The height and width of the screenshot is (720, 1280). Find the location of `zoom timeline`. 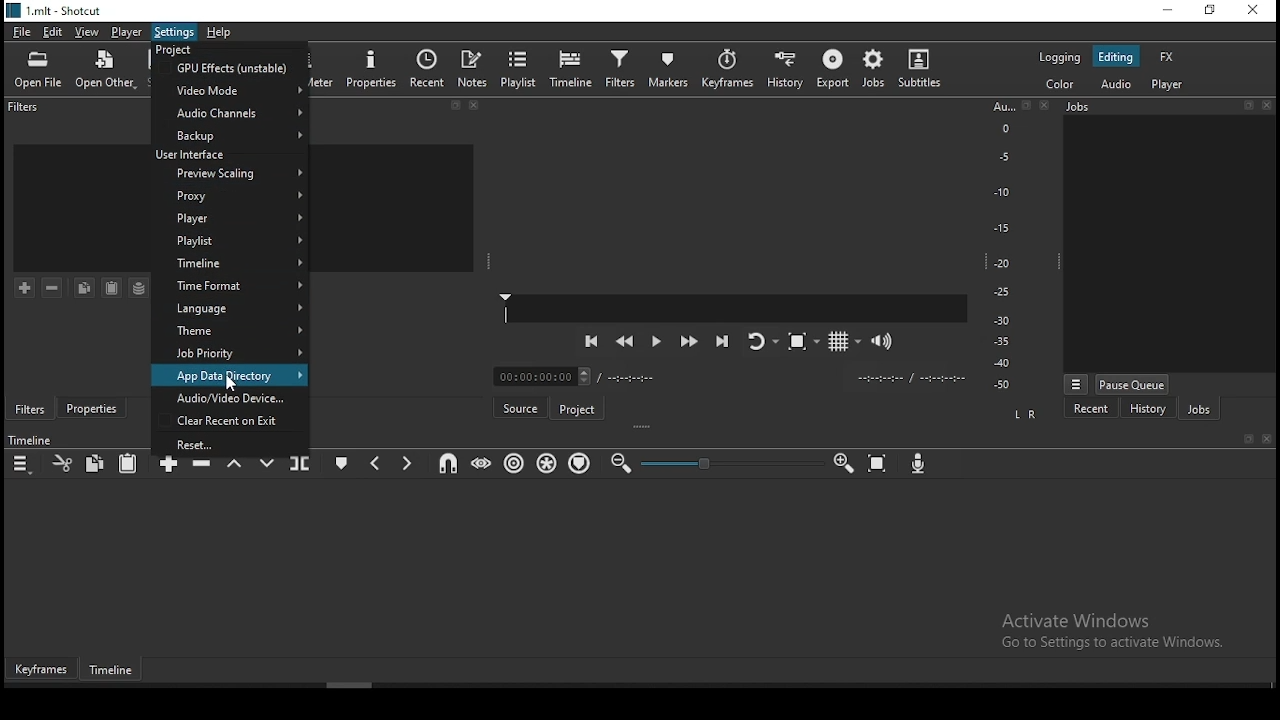

zoom timeline is located at coordinates (843, 463).